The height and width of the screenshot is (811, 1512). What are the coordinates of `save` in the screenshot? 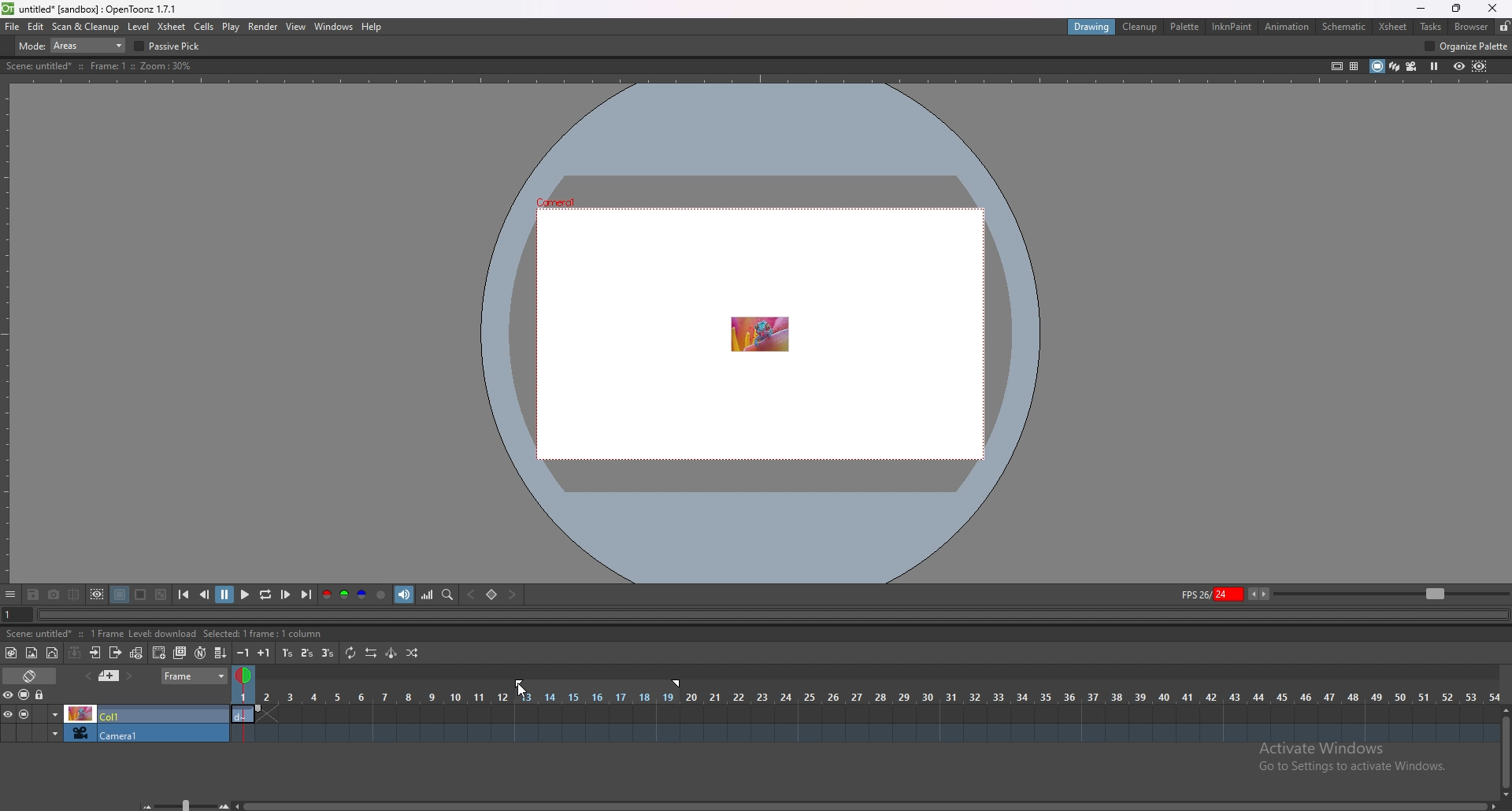 It's located at (33, 595).